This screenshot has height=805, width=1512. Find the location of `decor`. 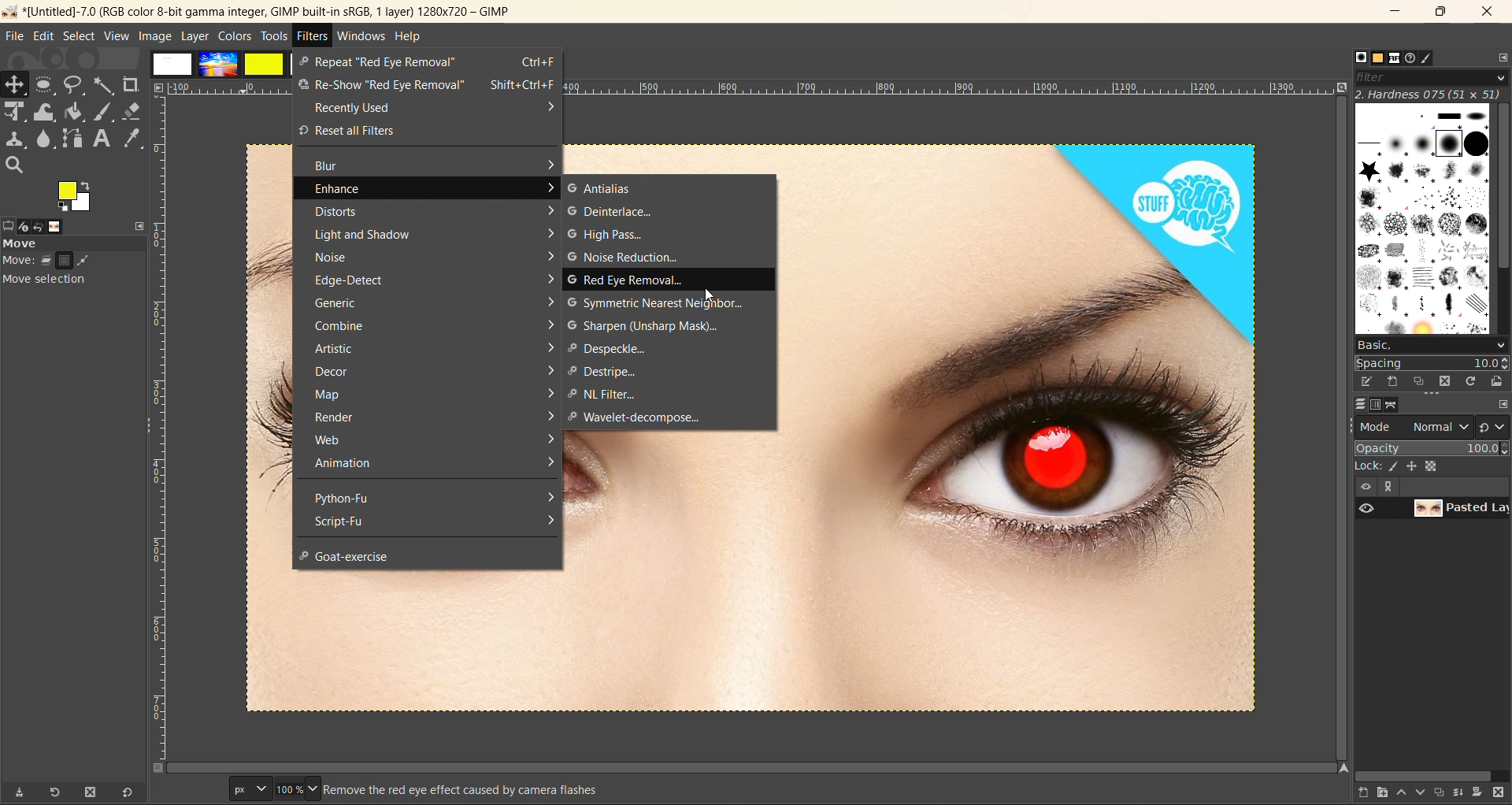

decor is located at coordinates (432, 371).